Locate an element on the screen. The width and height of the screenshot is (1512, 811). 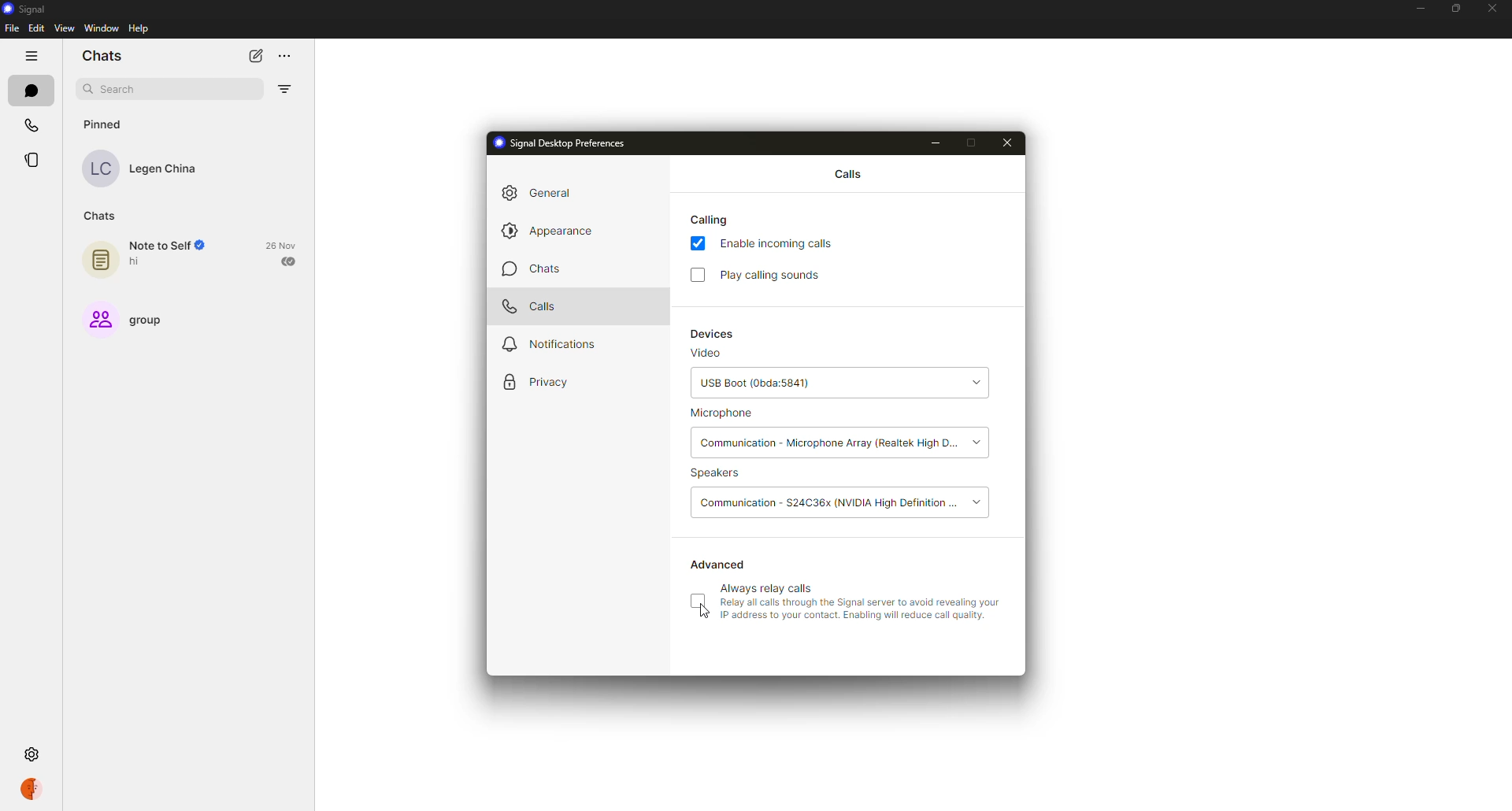
group is located at coordinates (98, 319).